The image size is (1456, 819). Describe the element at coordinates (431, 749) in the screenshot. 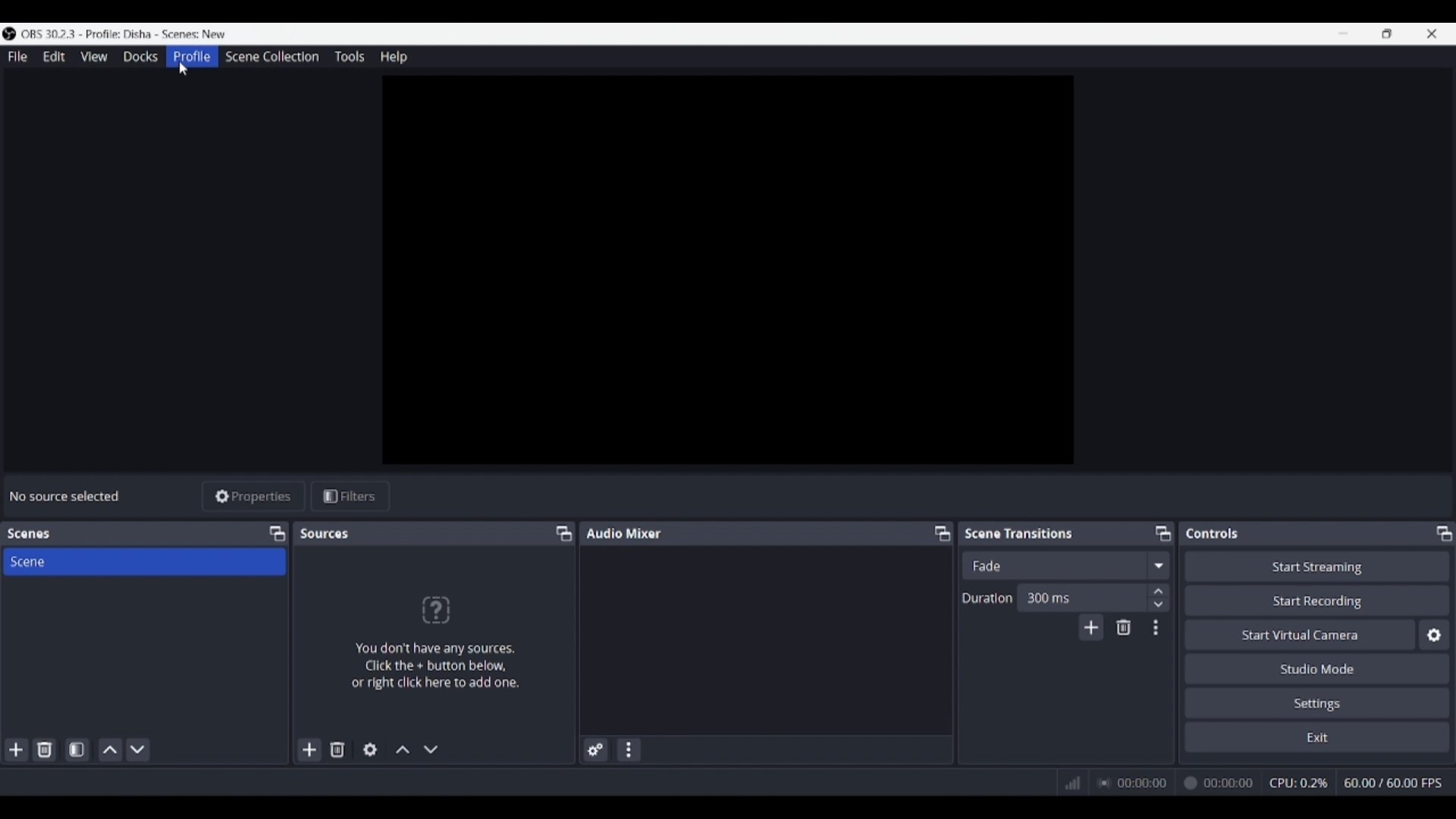

I see `Move source down` at that location.